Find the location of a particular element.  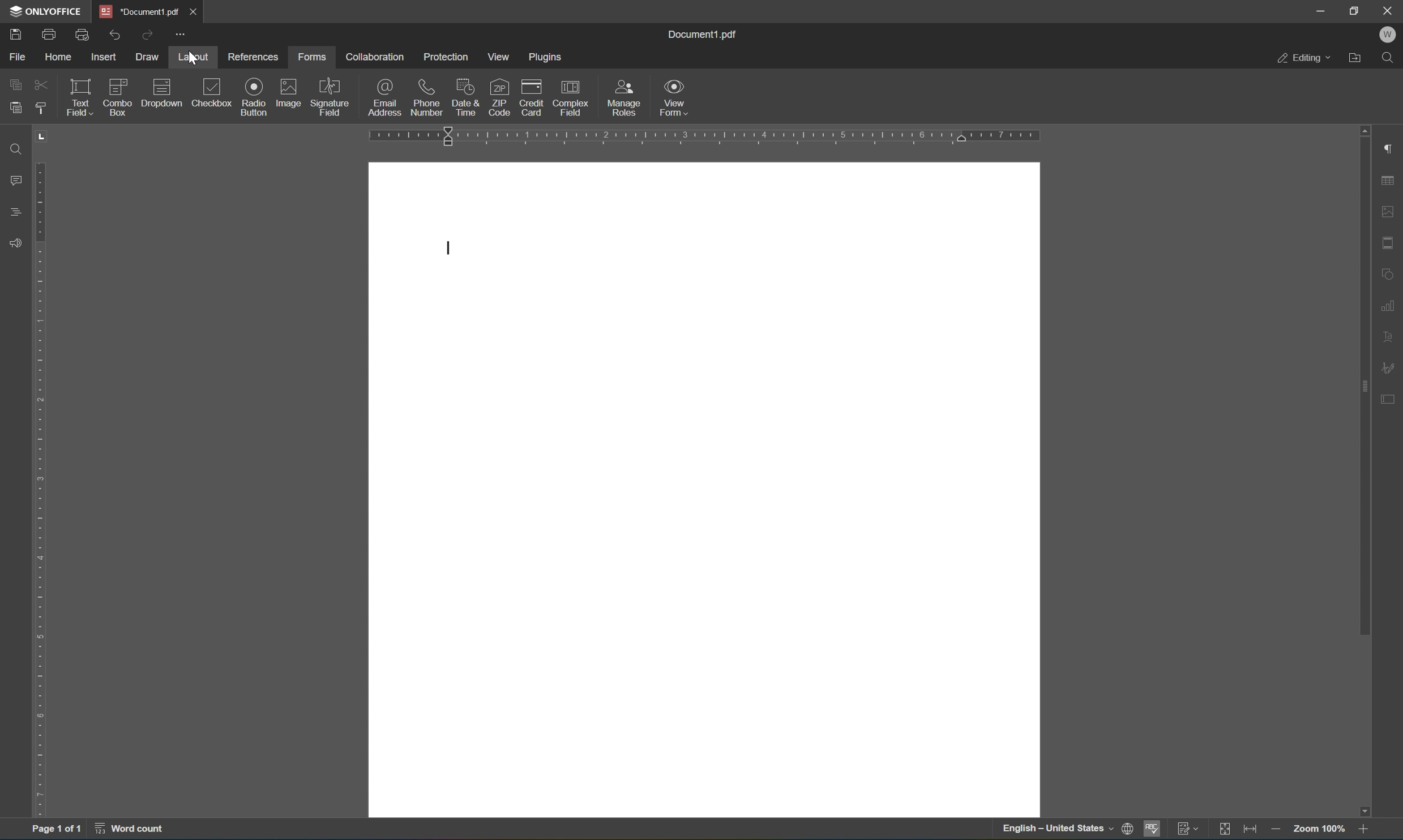

image settings is located at coordinates (1389, 213).